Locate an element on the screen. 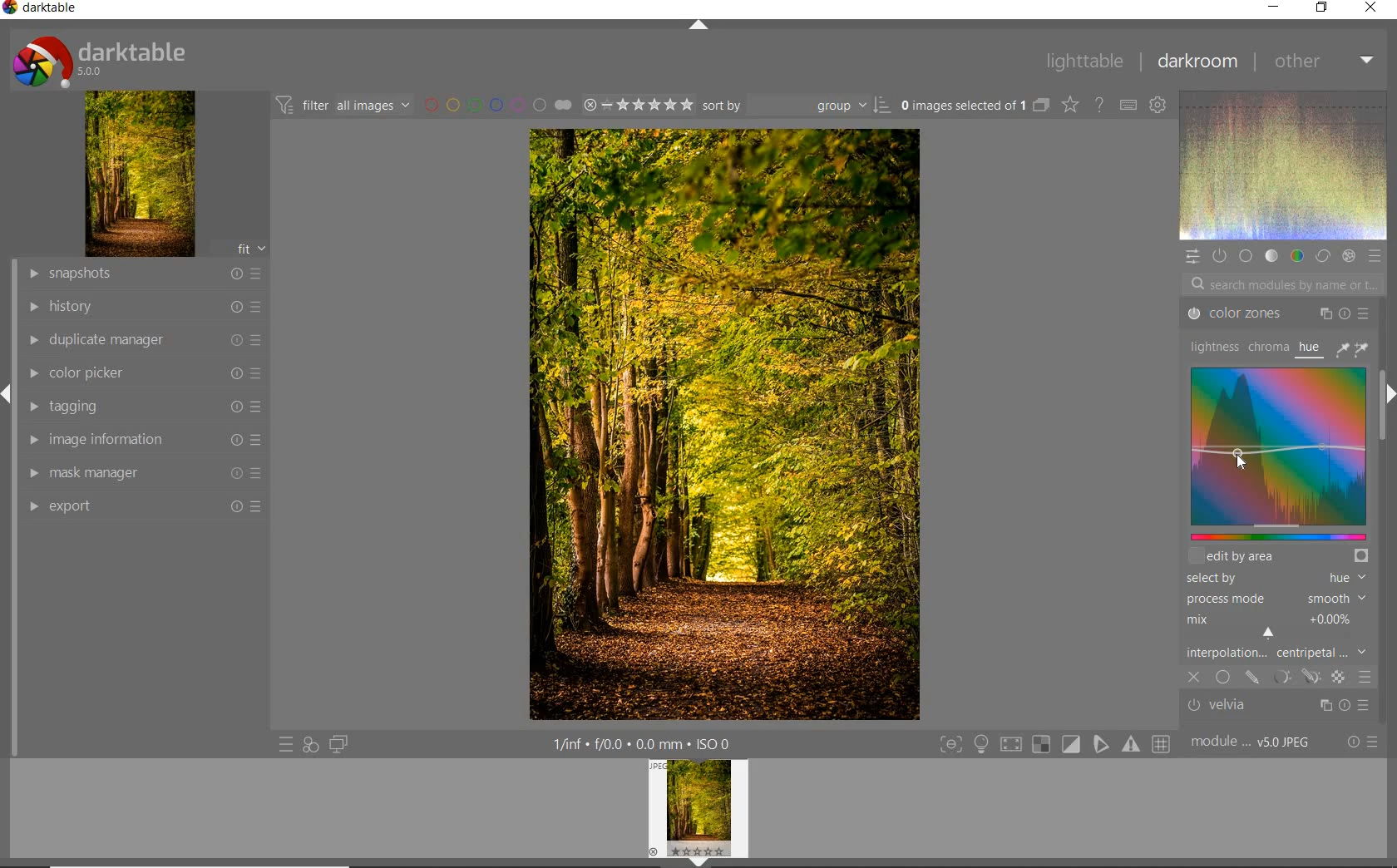 This screenshot has height=868, width=1397. velvia is located at coordinates (1281, 707).